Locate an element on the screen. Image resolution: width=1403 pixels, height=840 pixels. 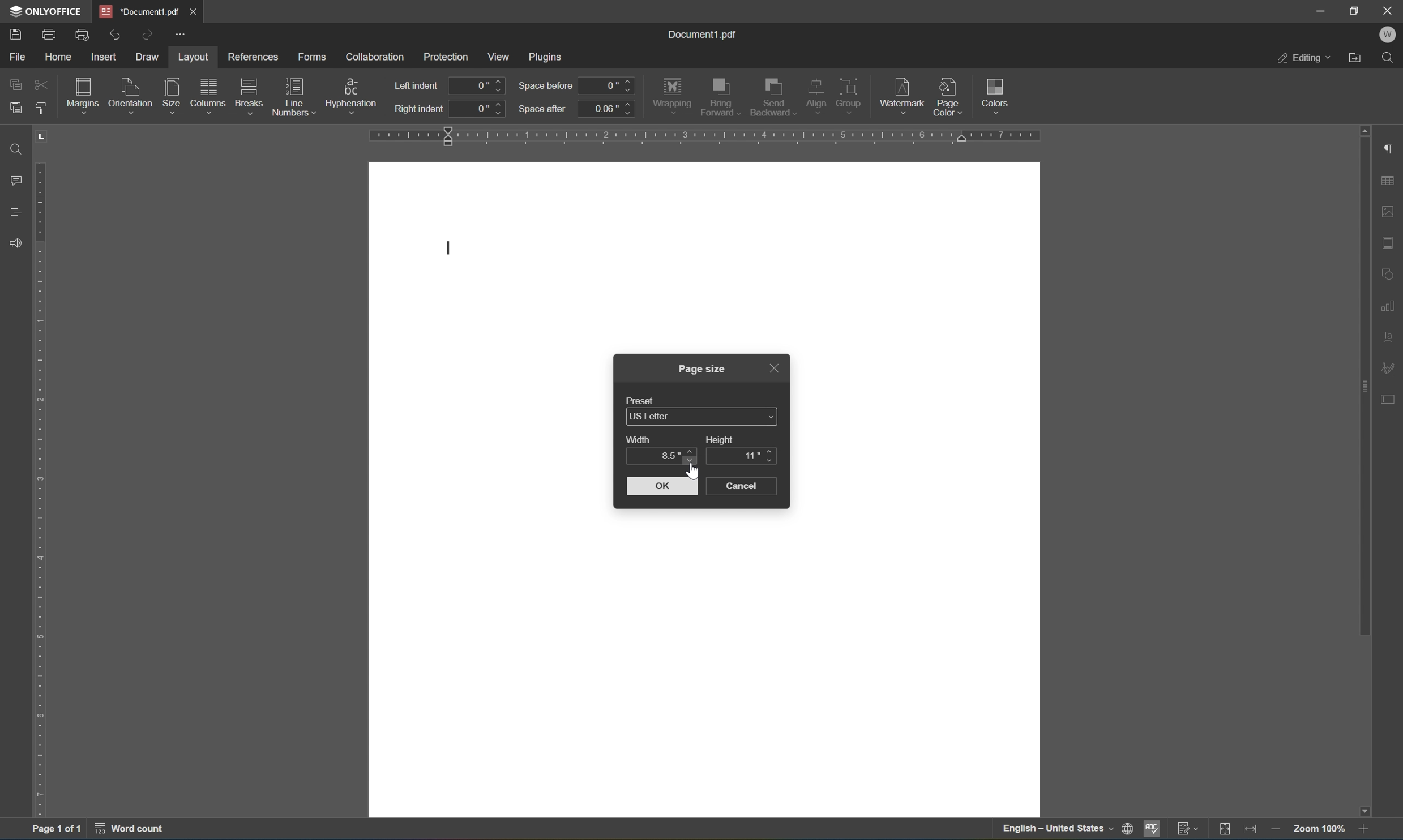
 is located at coordinates (703, 368).